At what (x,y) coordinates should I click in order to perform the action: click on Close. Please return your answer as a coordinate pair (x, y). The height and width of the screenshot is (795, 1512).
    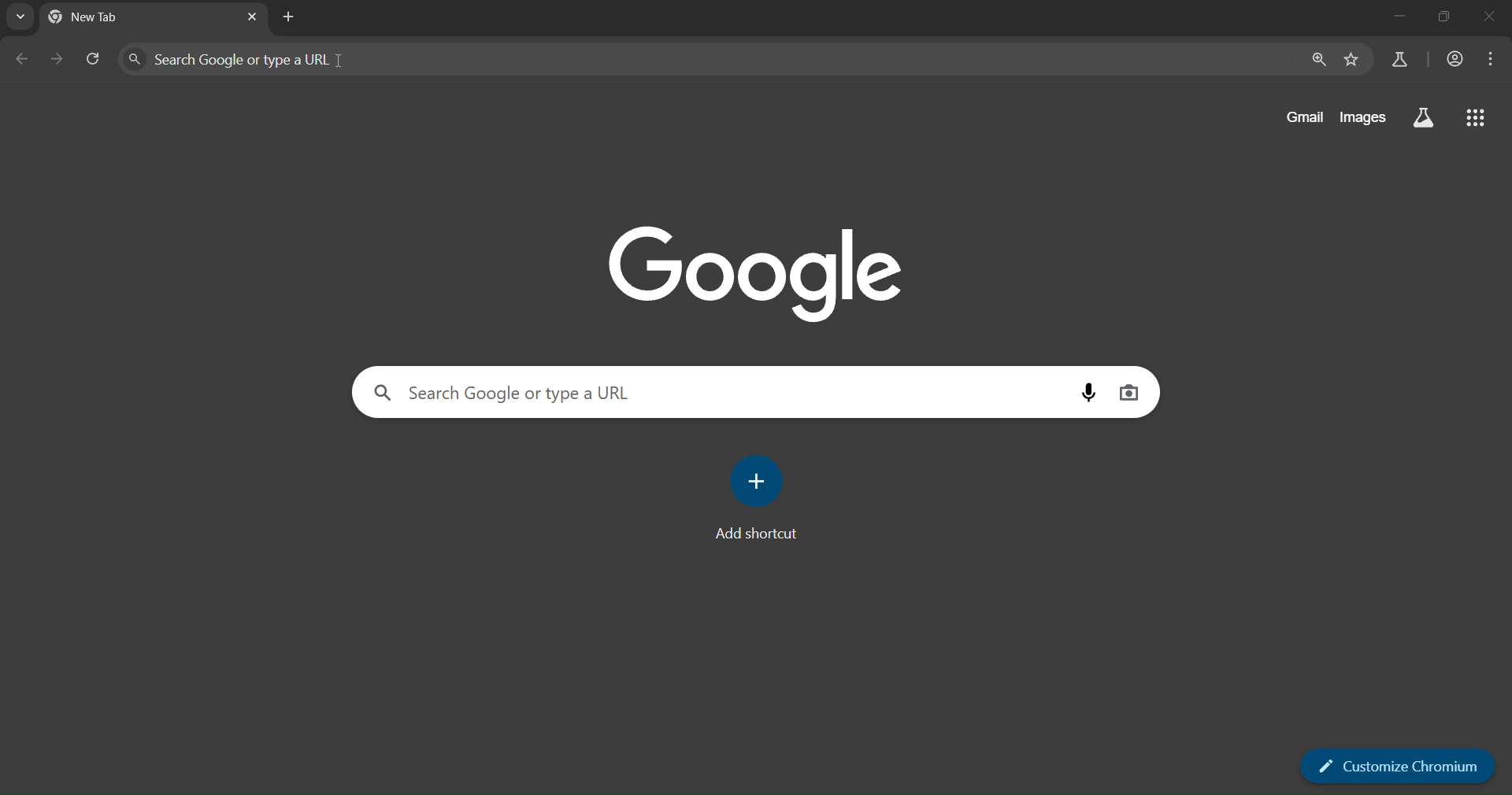
    Looking at the image, I should click on (1492, 17).